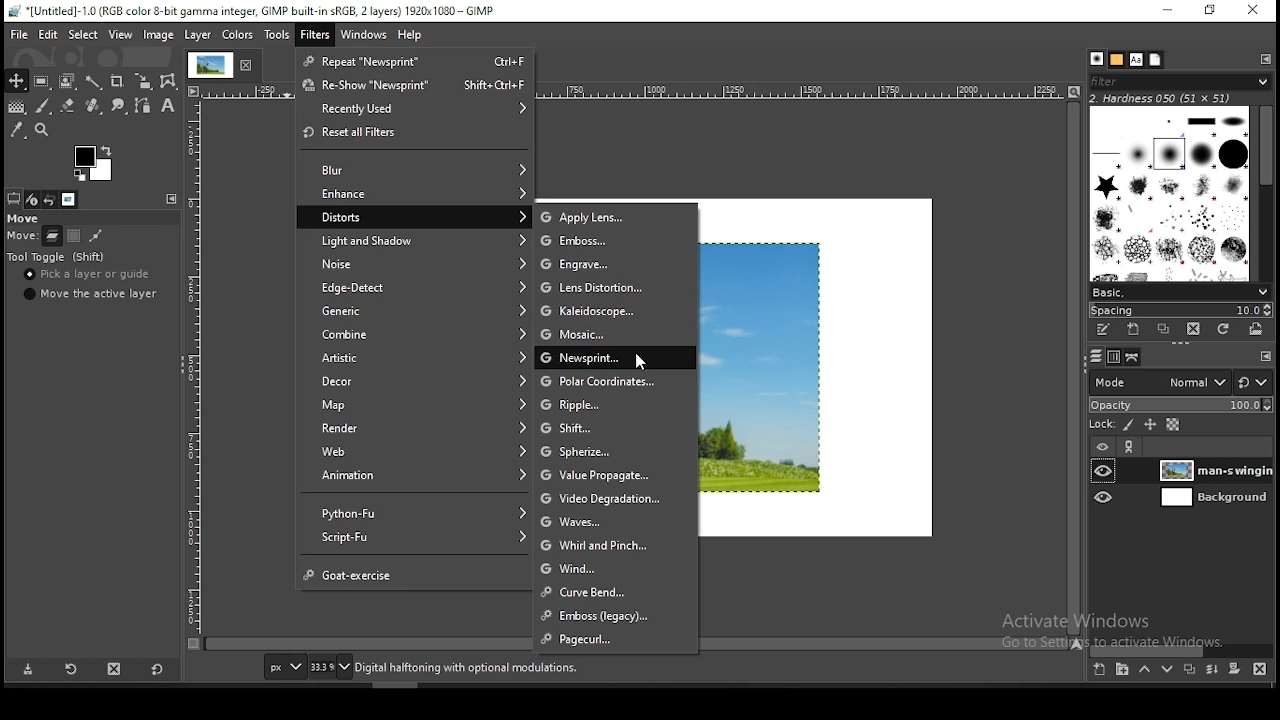  Describe the element at coordinates (29, 670) in the screenshot. I see `save tool preset` at that location.